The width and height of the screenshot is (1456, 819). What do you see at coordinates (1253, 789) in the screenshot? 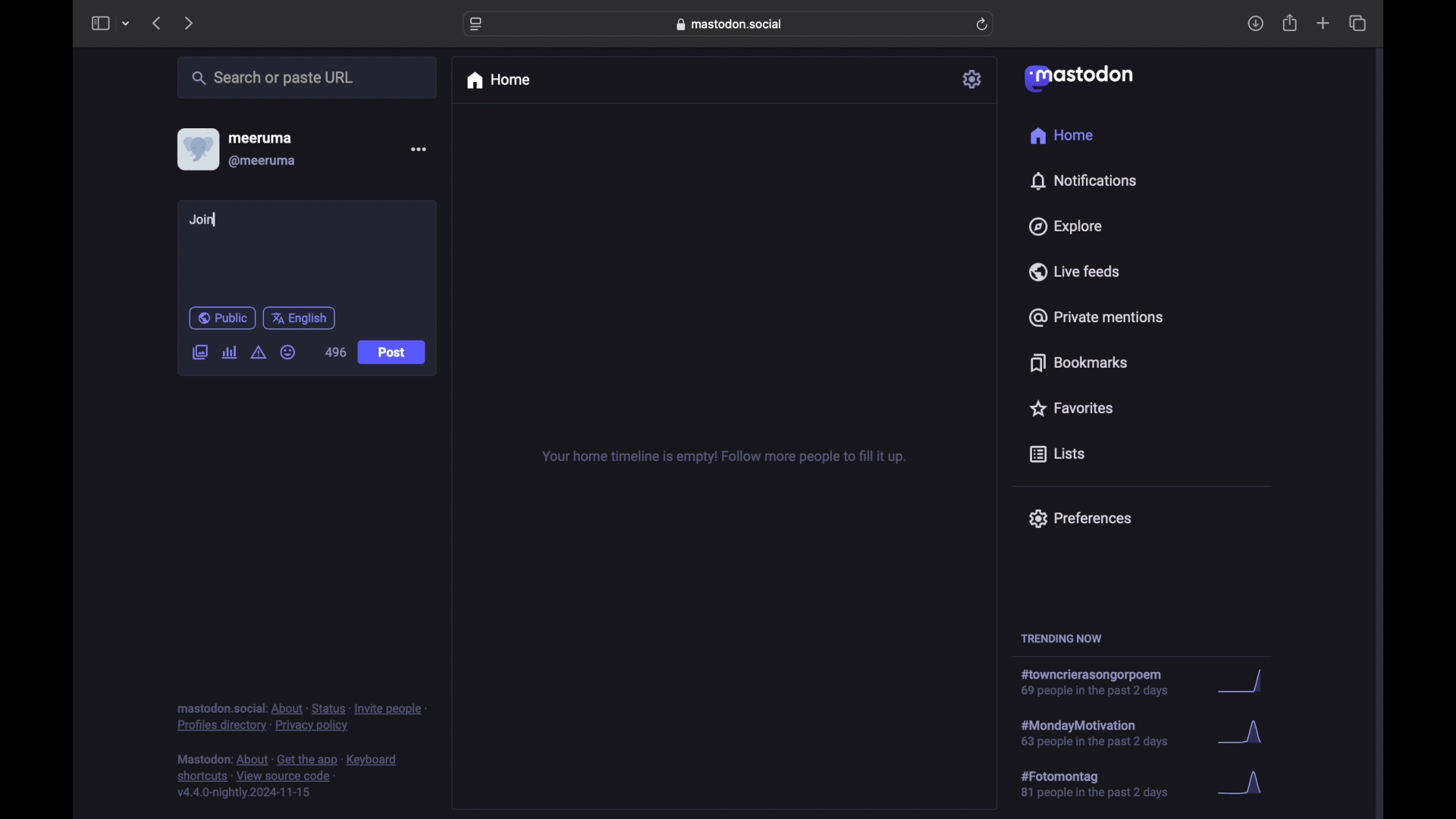
I see `graph` at bounding box center [1253, 789].